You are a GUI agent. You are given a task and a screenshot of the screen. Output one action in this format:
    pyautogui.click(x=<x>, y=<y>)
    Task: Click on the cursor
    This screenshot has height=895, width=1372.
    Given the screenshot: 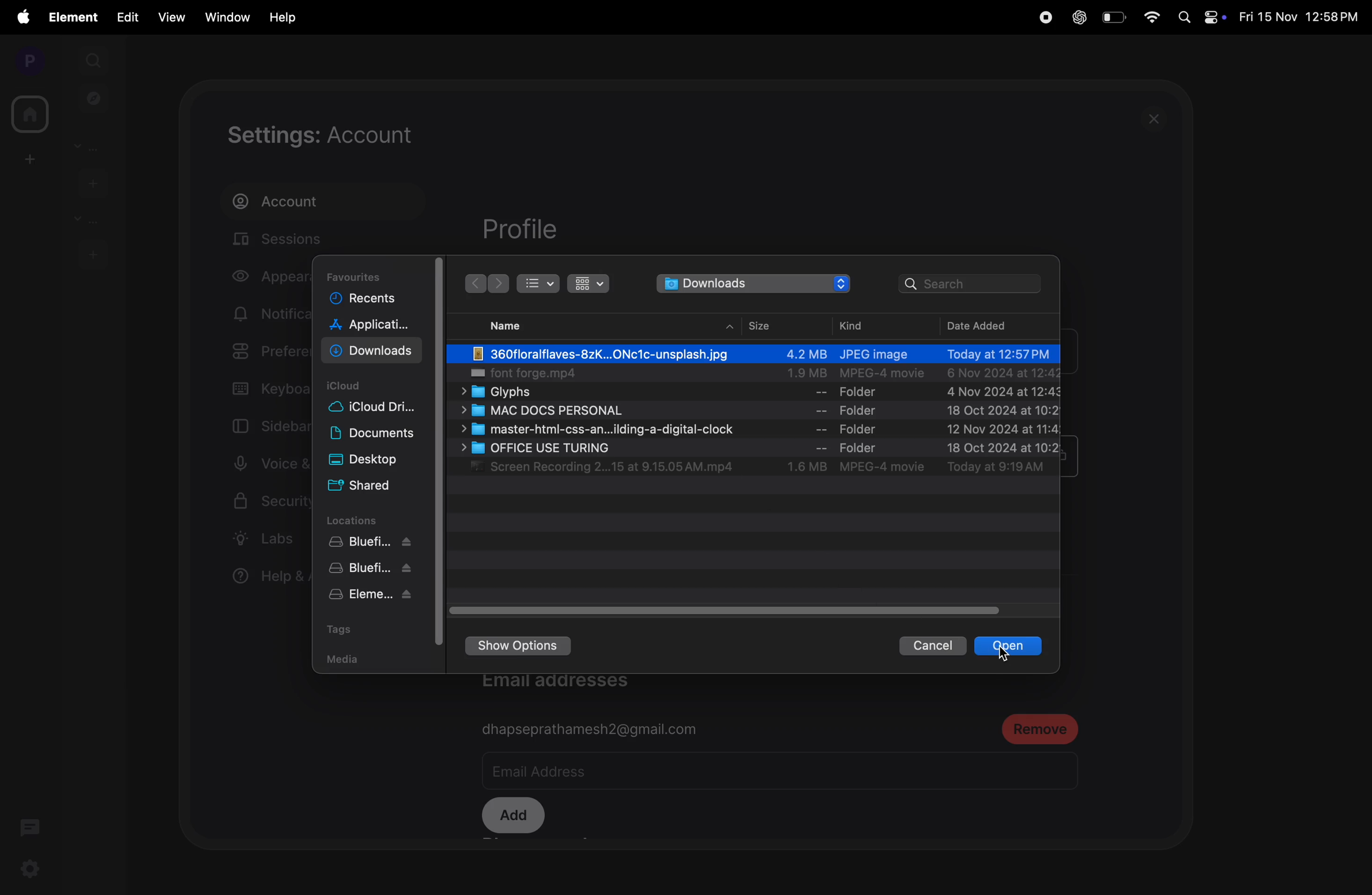 What is the action you would take?
    pyautogui.click(x=549, y=365)
    